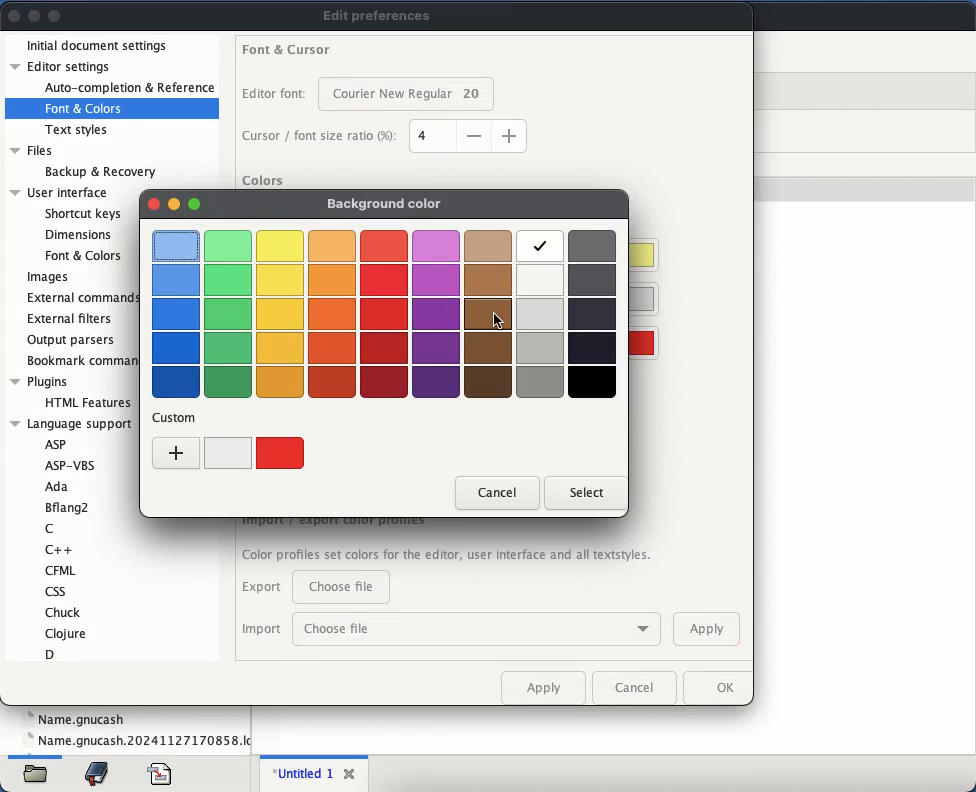 Image resolution: width=976 pixels, height=792 pixels. Describe the element at coordinates (61, 571) in the screenshot. I see `CFML` at that location.